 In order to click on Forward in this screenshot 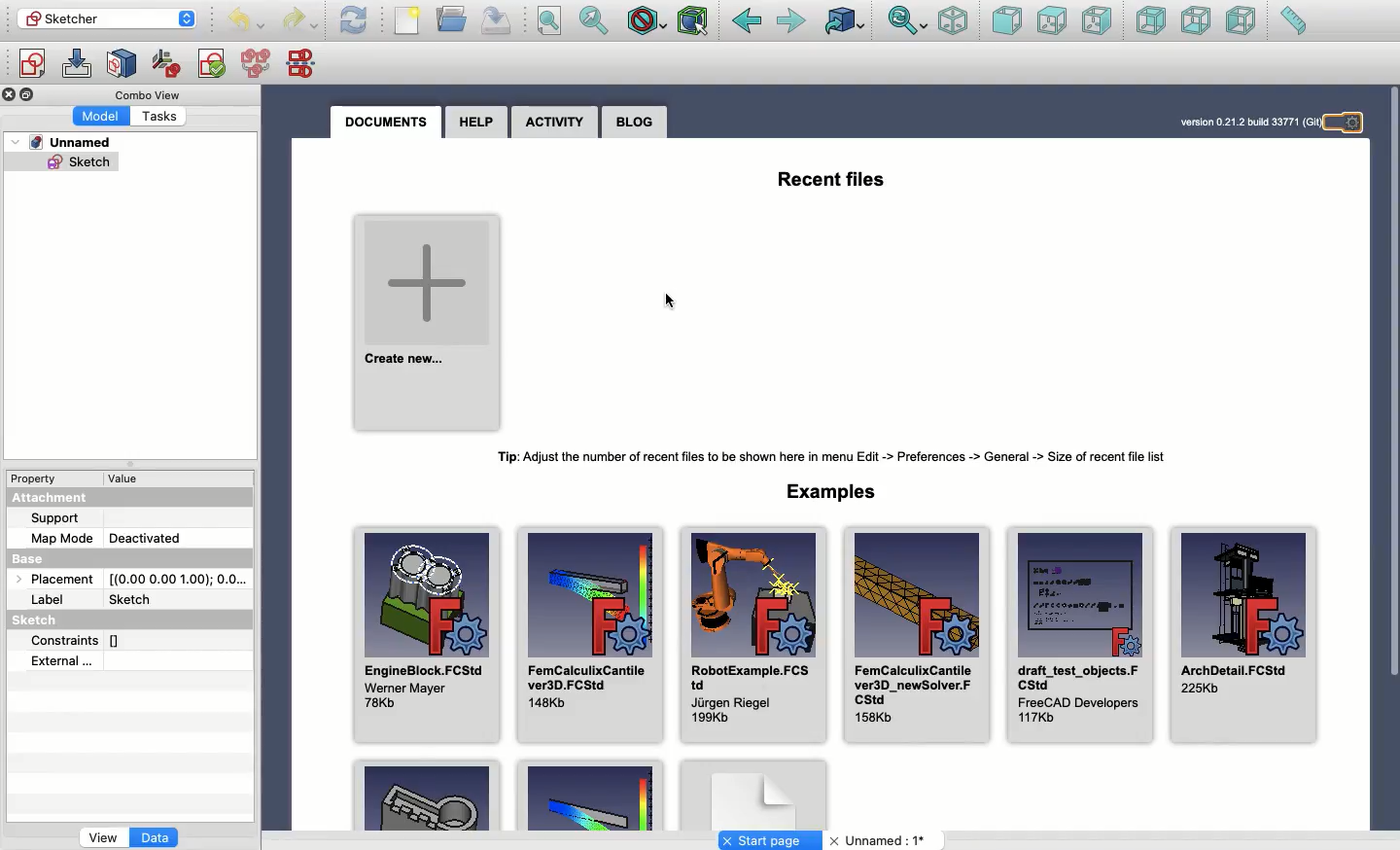, I will do `click(794, 24)`.